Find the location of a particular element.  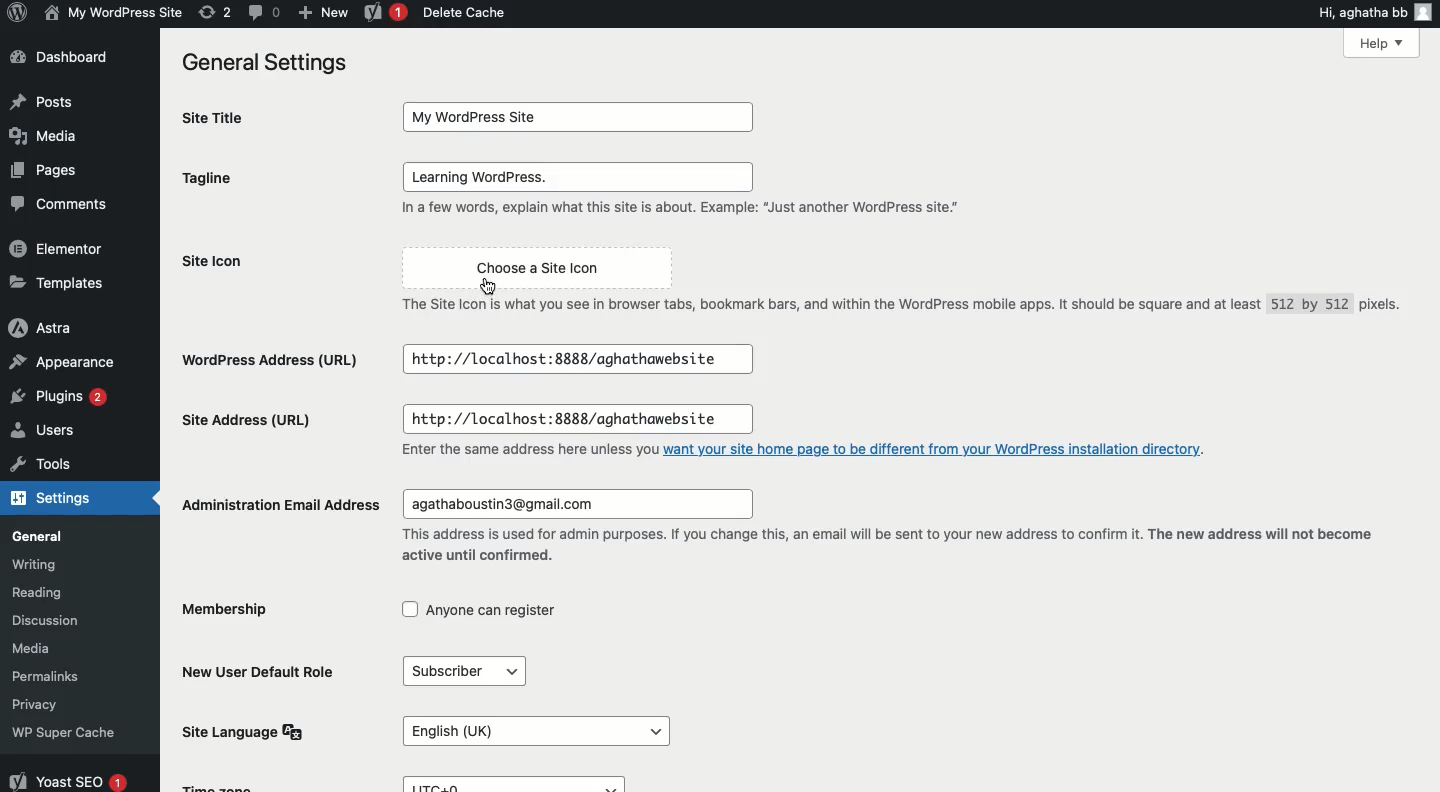

Yoast 1 is located at coordinates (383, 13).